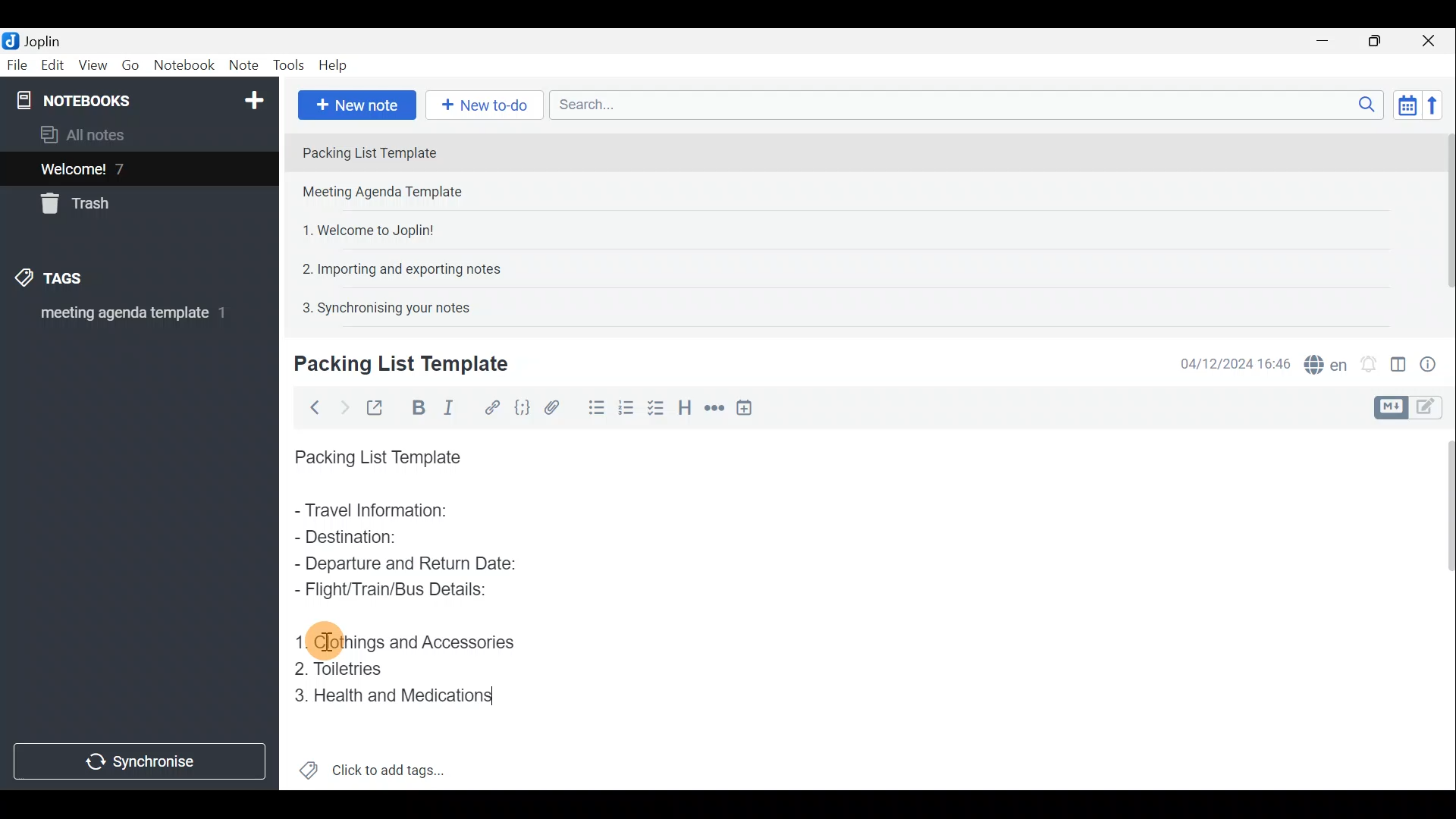 The image size is (1456, 819). I want to click on cursor, so click(326, 642).